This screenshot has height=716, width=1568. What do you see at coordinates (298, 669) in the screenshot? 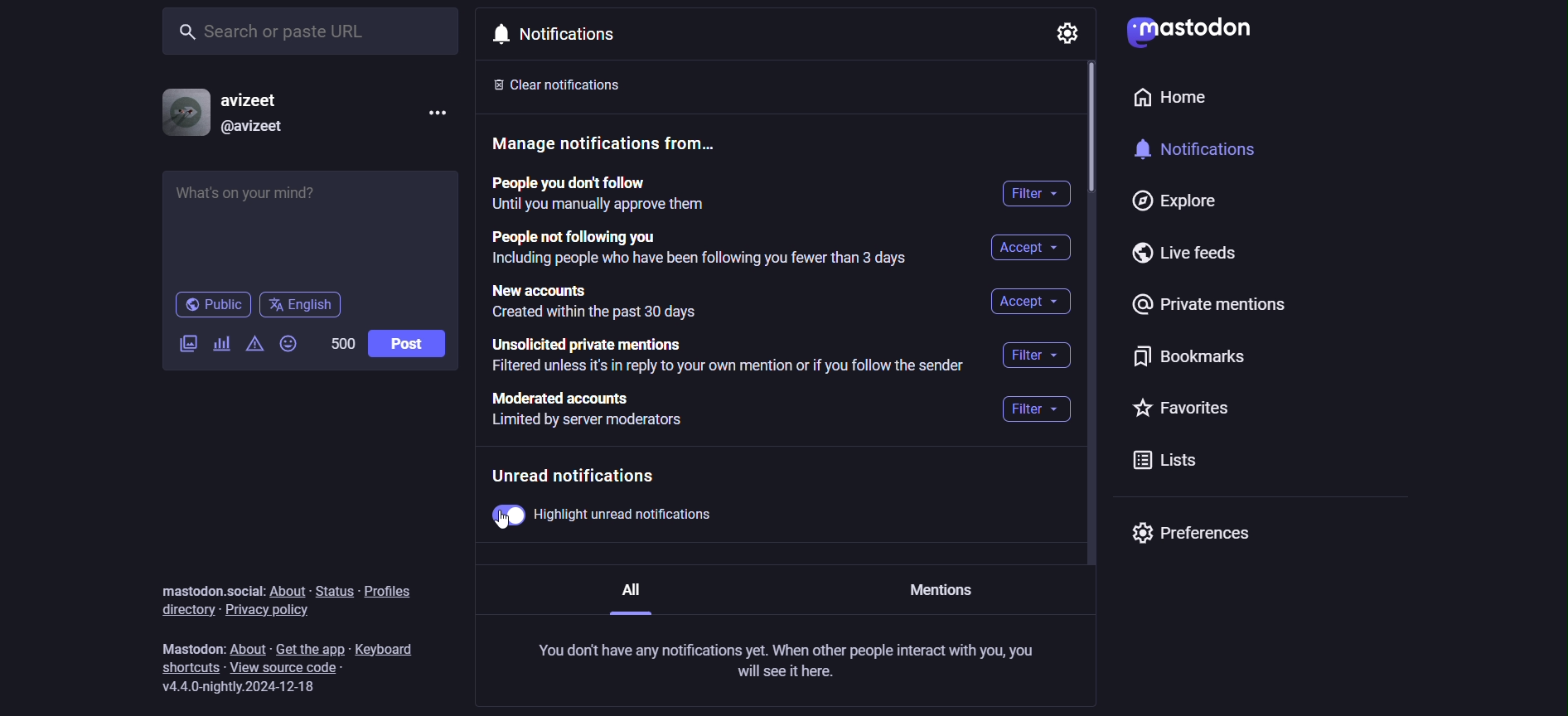
I see `view source code` at bounding box center [298, 669].